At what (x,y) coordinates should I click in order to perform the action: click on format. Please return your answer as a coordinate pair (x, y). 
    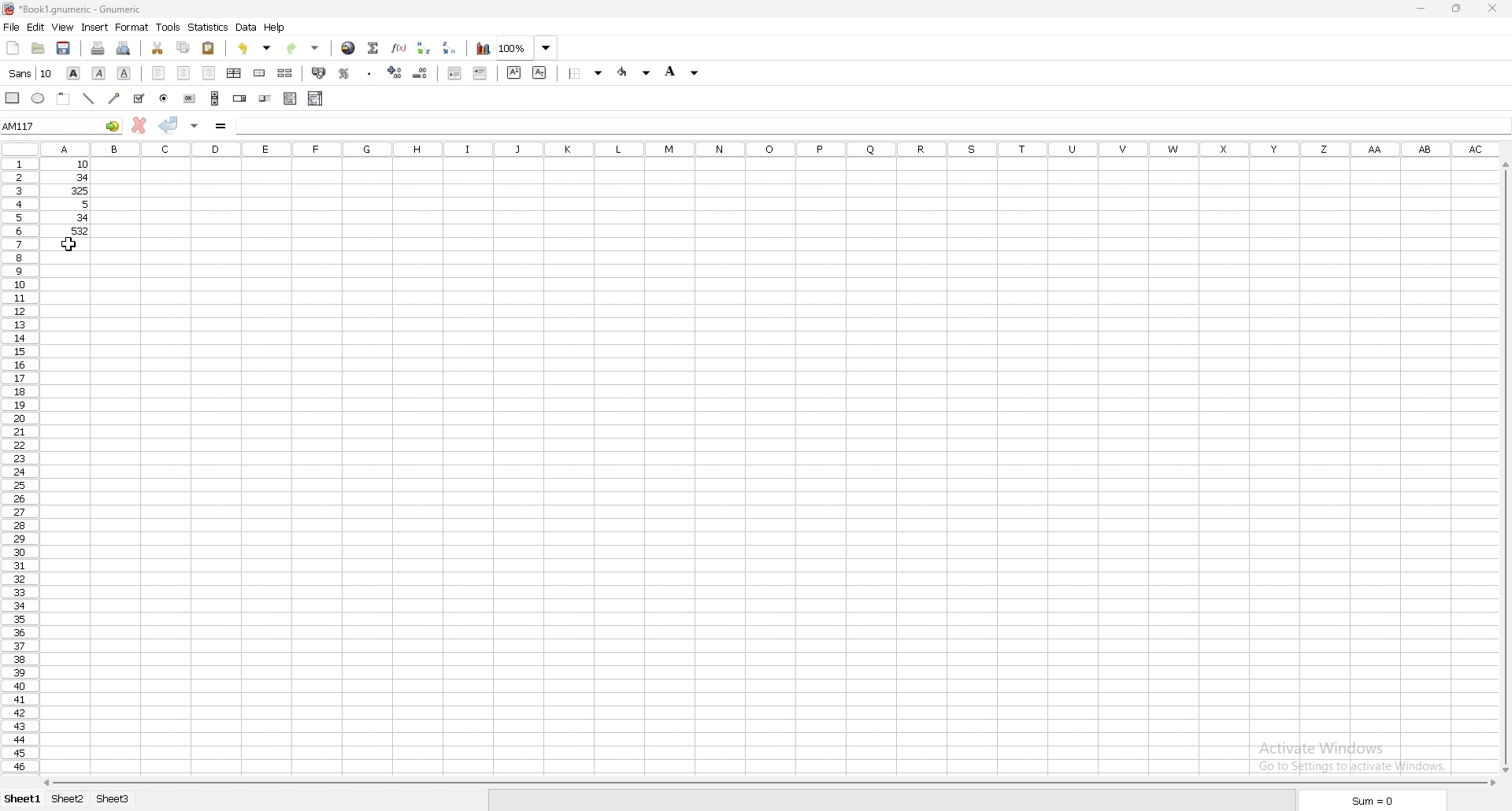
    Looking at the image, I should click on (133, 27).